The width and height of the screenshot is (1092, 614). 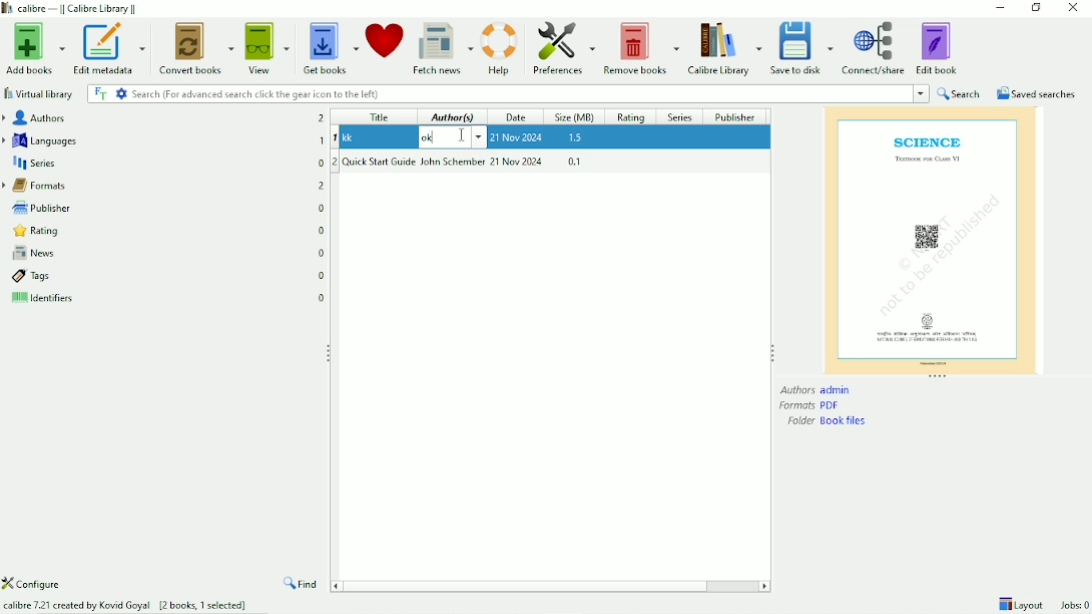 What do you see at coordinates (196, 48) in the screenshot?
I see `Convert books` at bounding box center [196, 48].